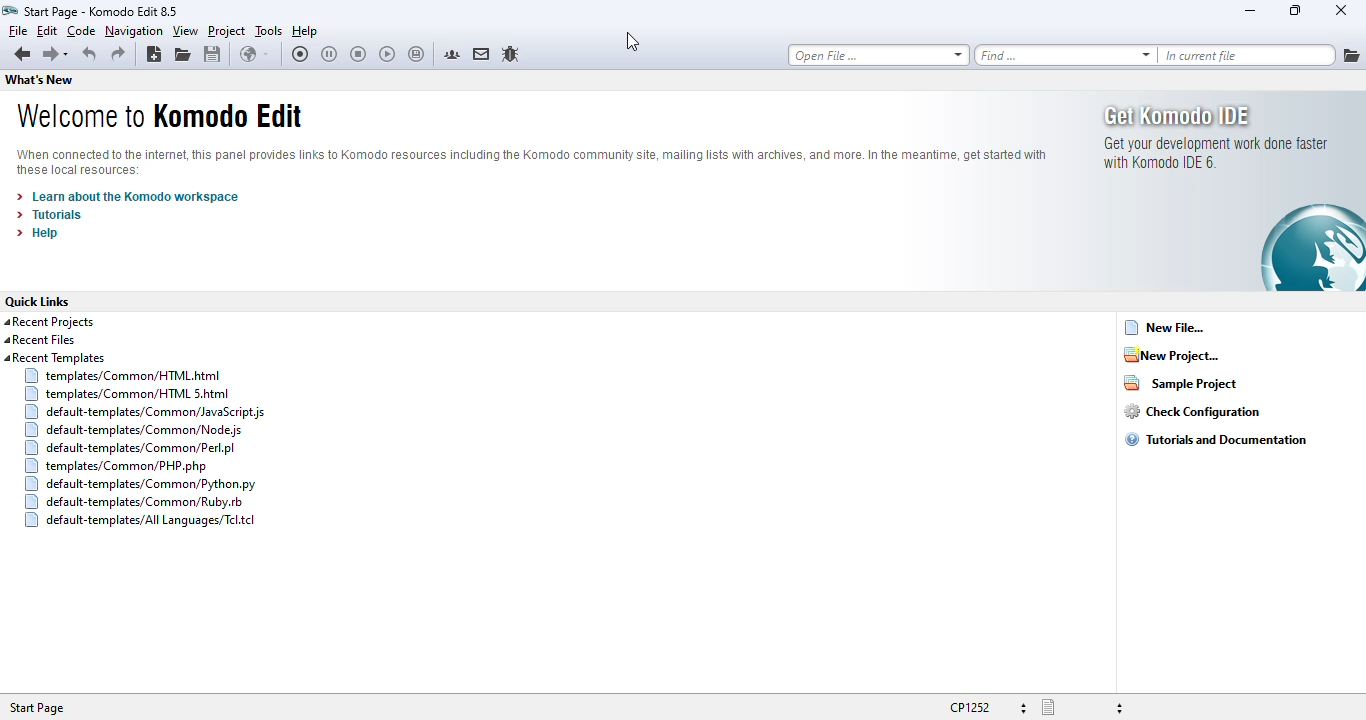  What do you see at coordinates (50, 322) in the screenshot?
I see `recent projects` at bounding box center [50, 322].